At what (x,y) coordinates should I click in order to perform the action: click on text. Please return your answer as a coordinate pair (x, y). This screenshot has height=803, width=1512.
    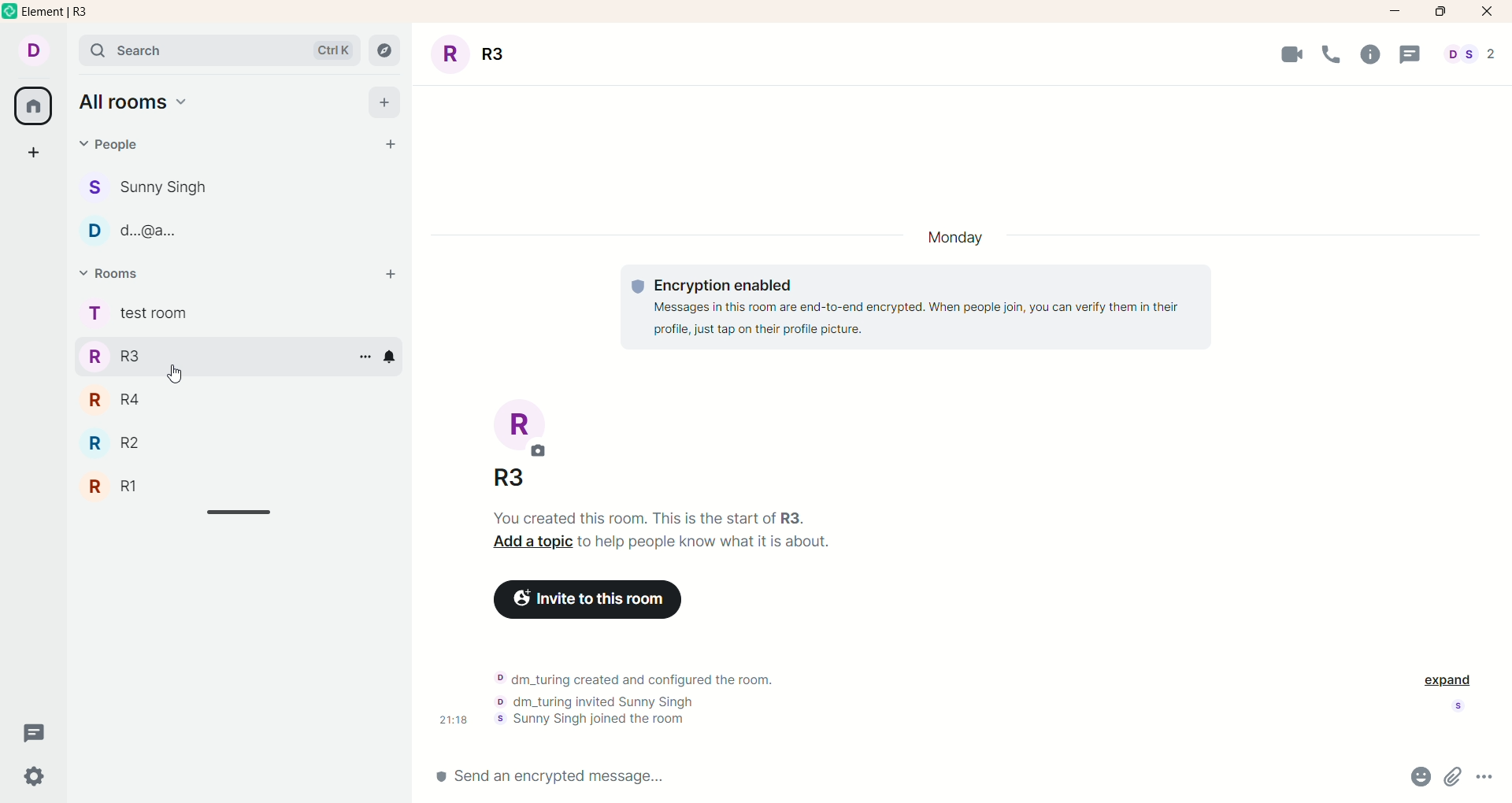
    Looking at the image, I should click on (924, 309).